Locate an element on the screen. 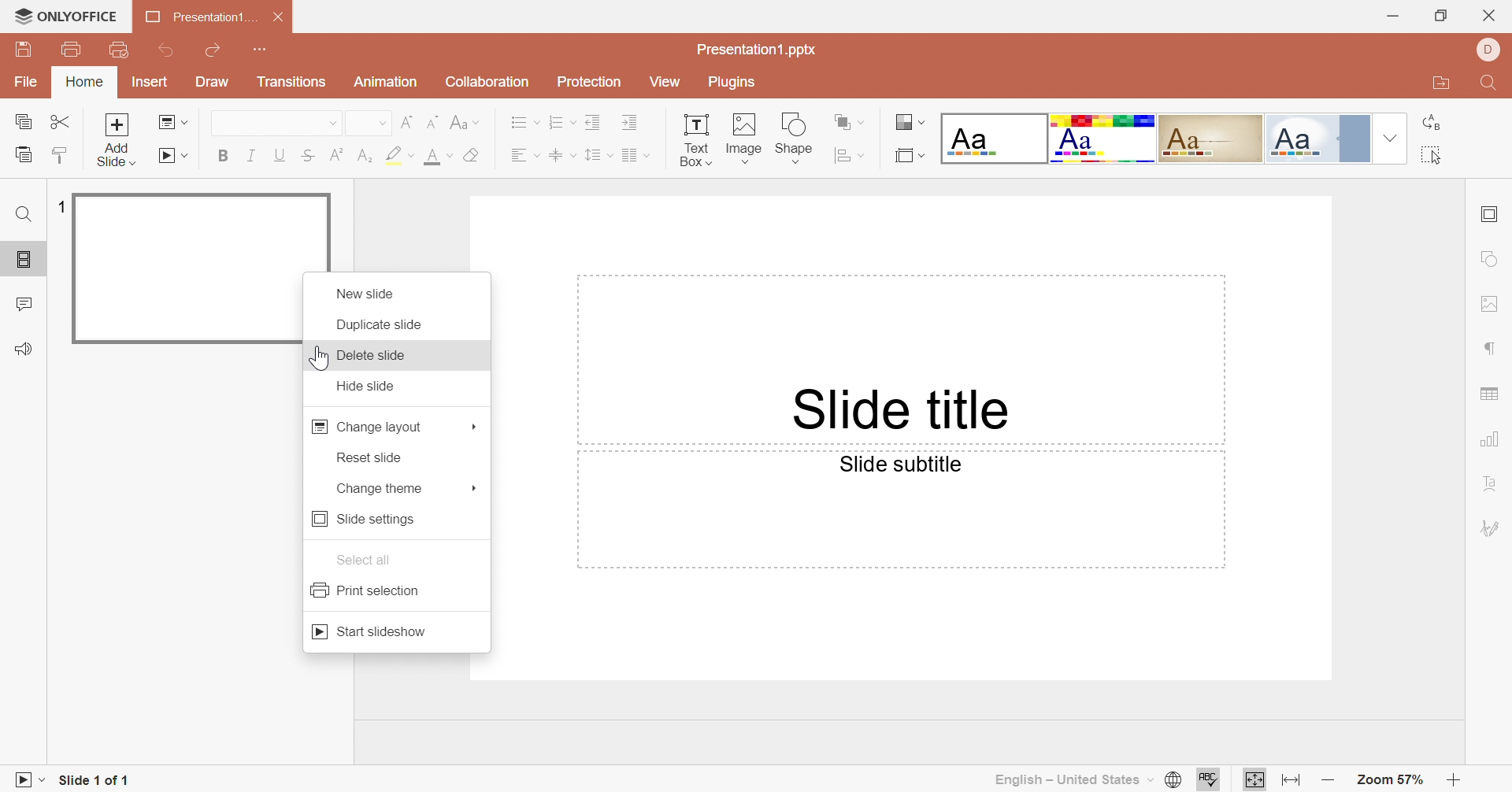 The width and height of the screenshot is (1512, 792). Change theme is located at coordinates (378, 489).